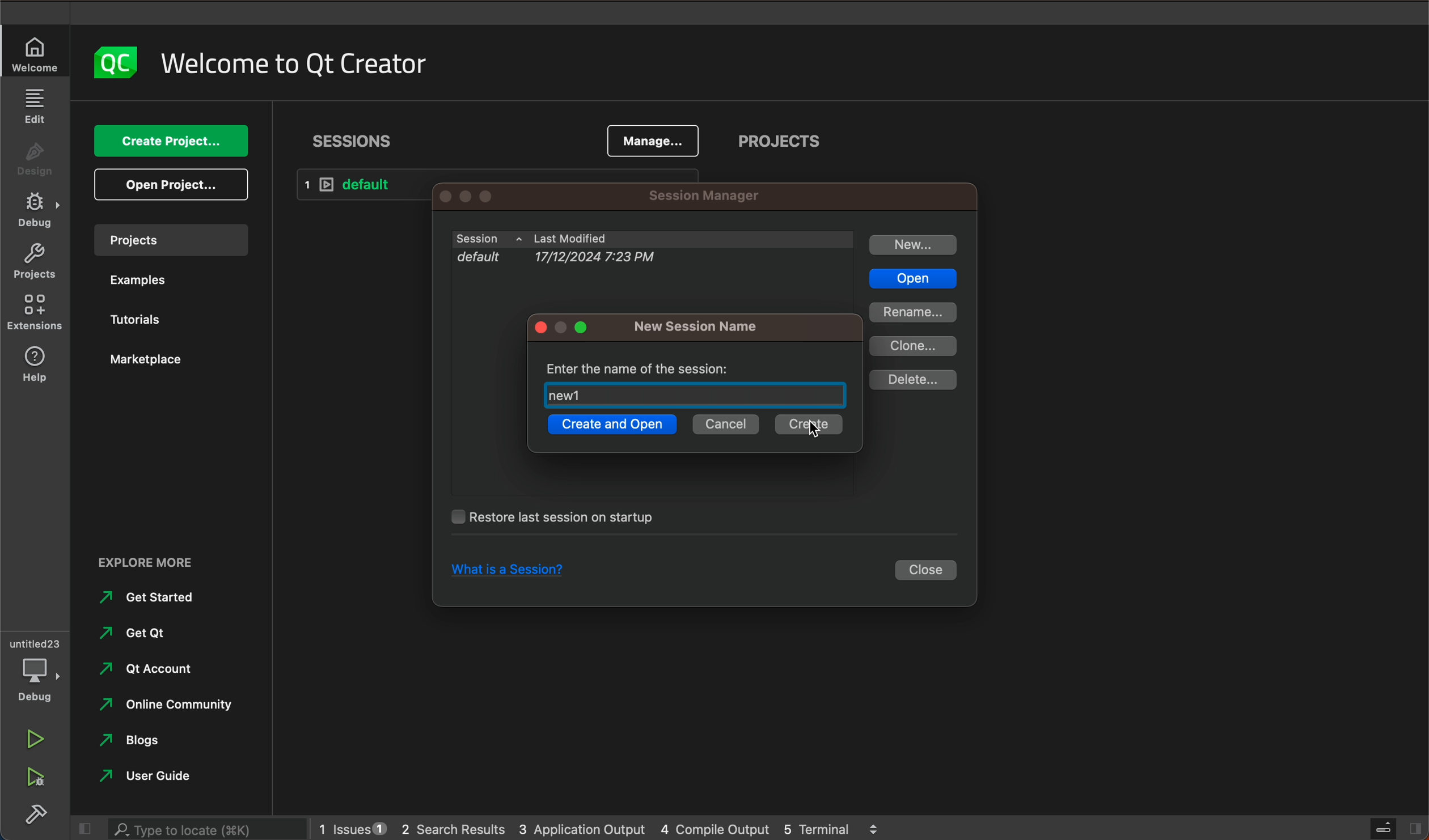 The width and height of the screenshot is (1429, 840). I want to click on Extensions, so click(36, 313).